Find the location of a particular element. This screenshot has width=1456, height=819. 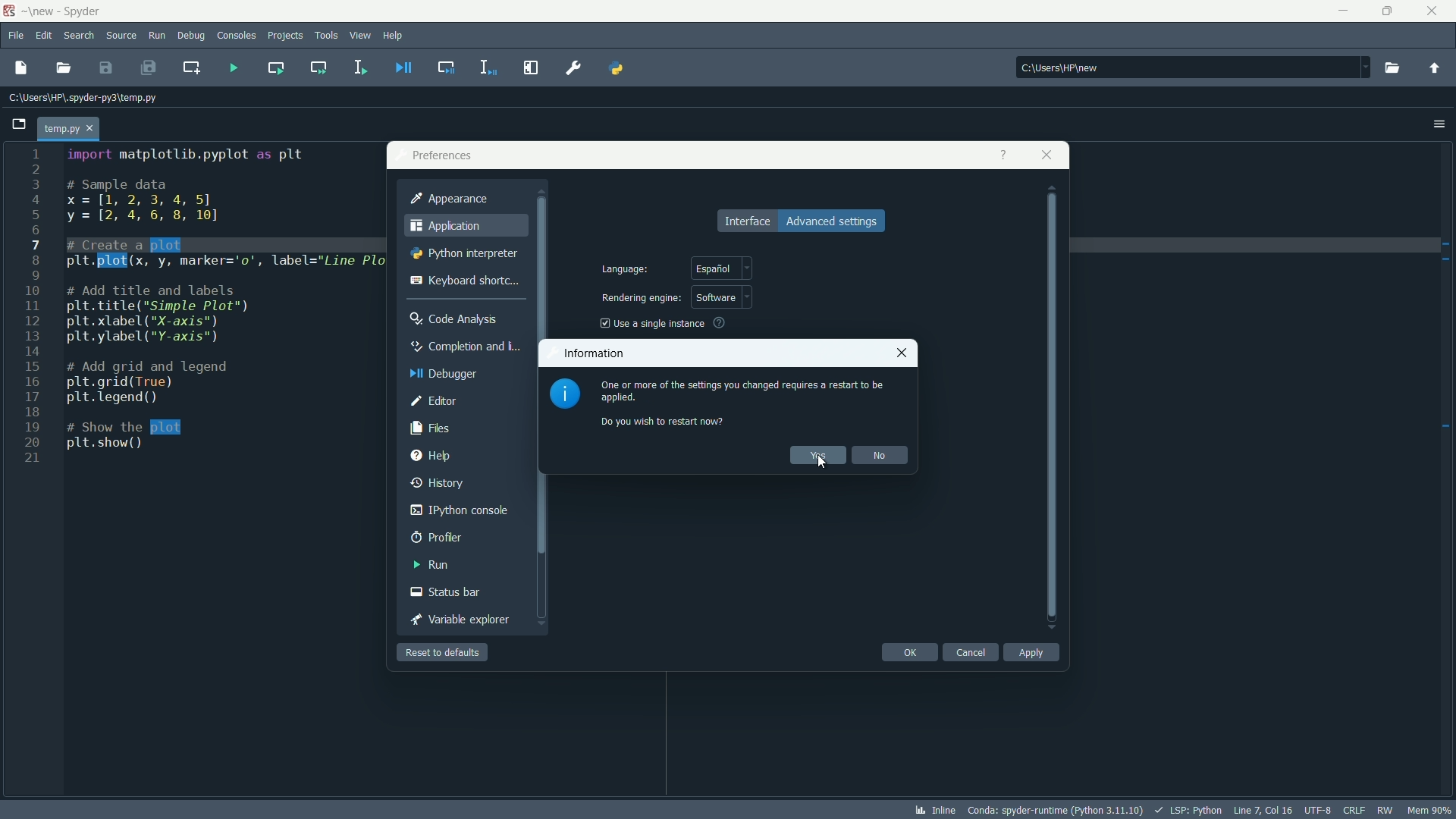

minimize is located at coordinates (1344, 11).